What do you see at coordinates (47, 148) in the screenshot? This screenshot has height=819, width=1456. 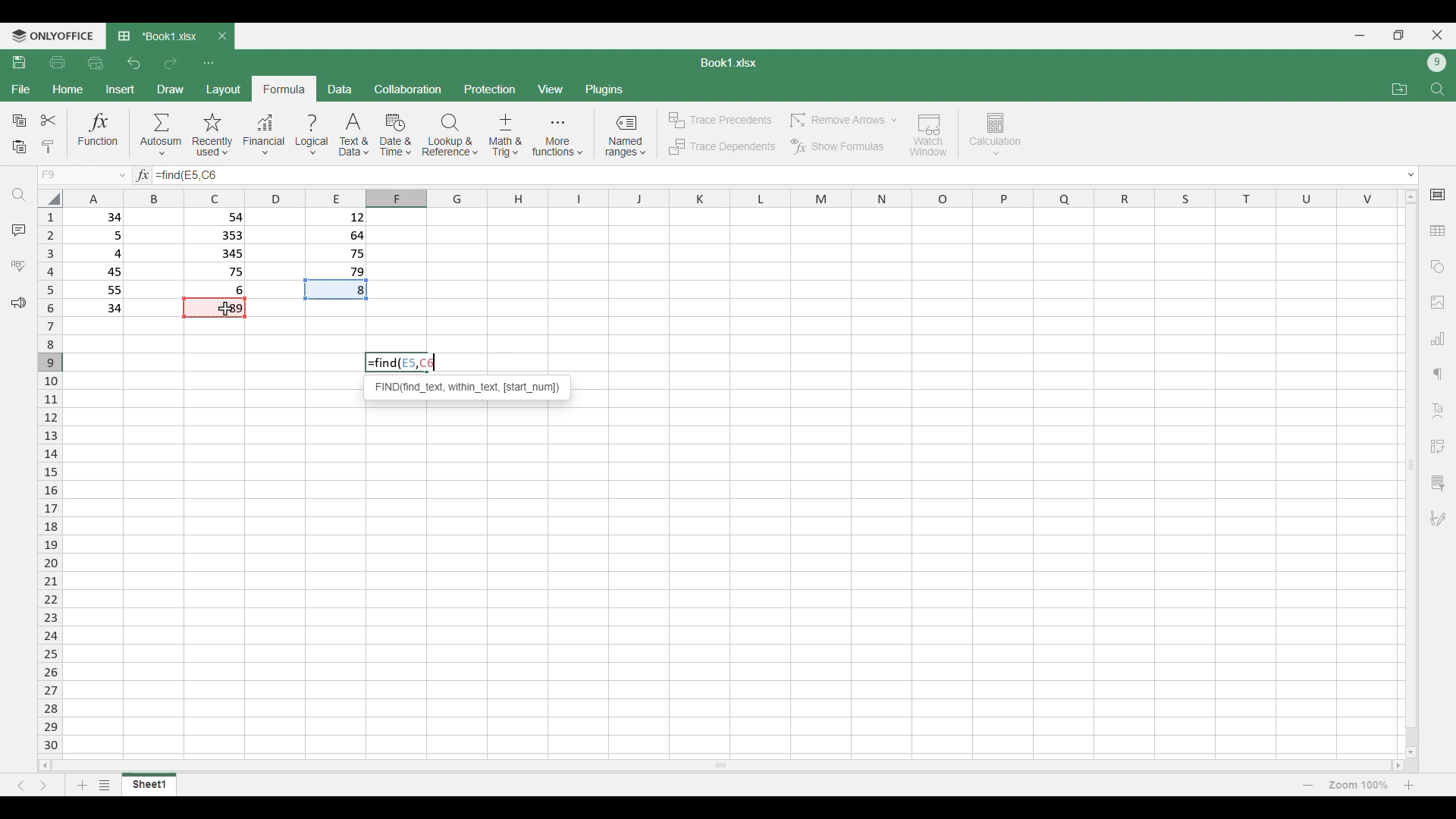 I see `Clone formatting` at bounding box center [47, 148].